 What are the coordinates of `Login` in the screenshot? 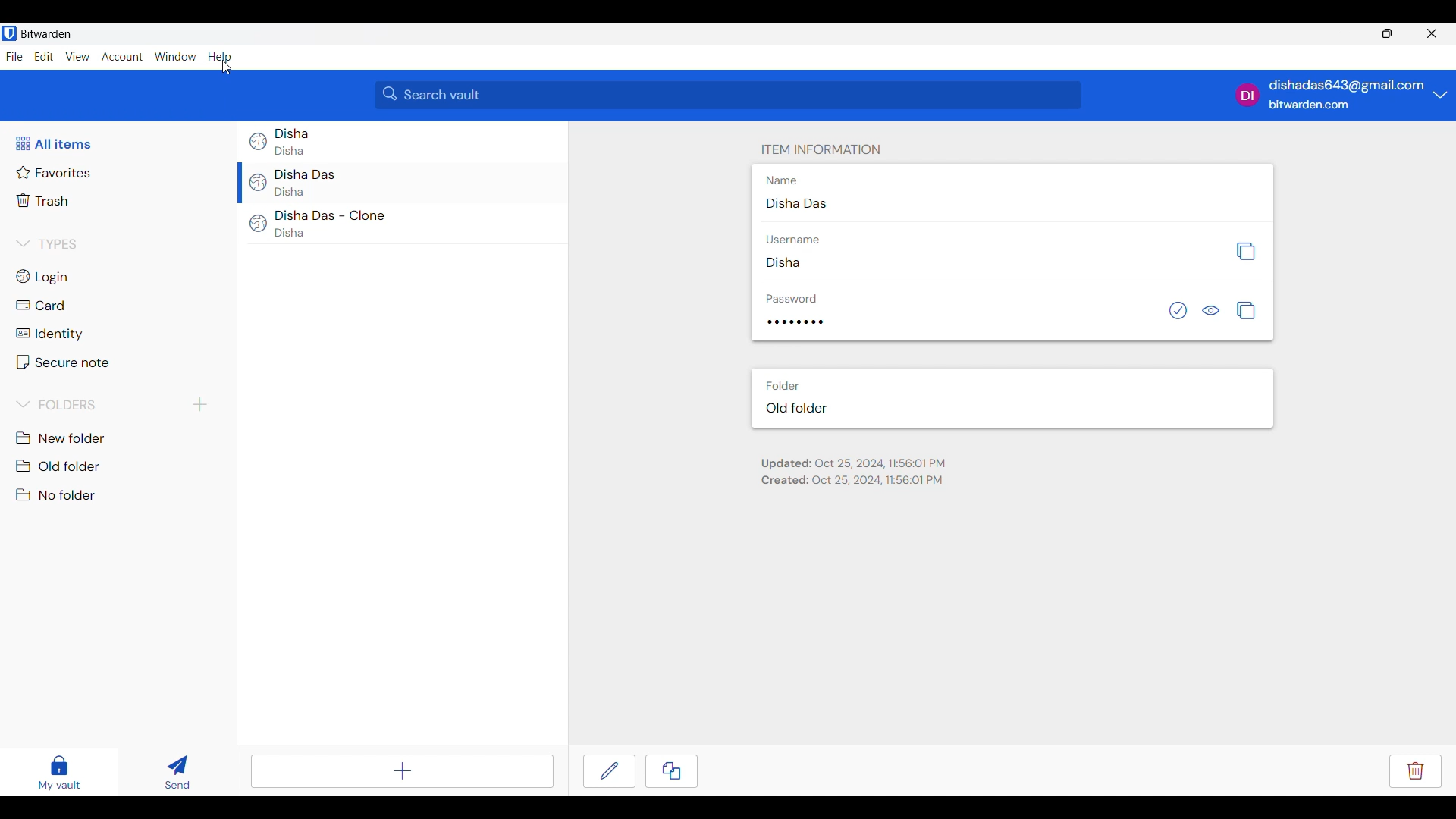 It's located at (44, 278).